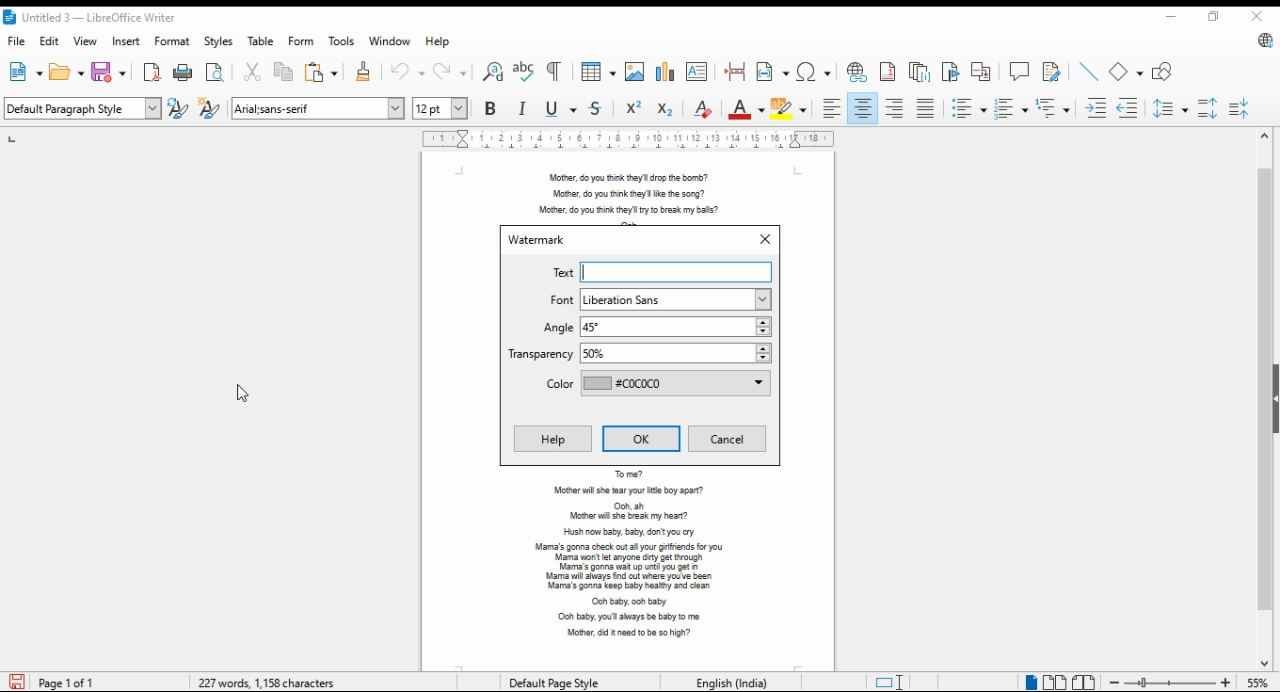  Describe the element at coordinates (1010, 109) in the screenshot. I see `toggle ordered list` at that location.